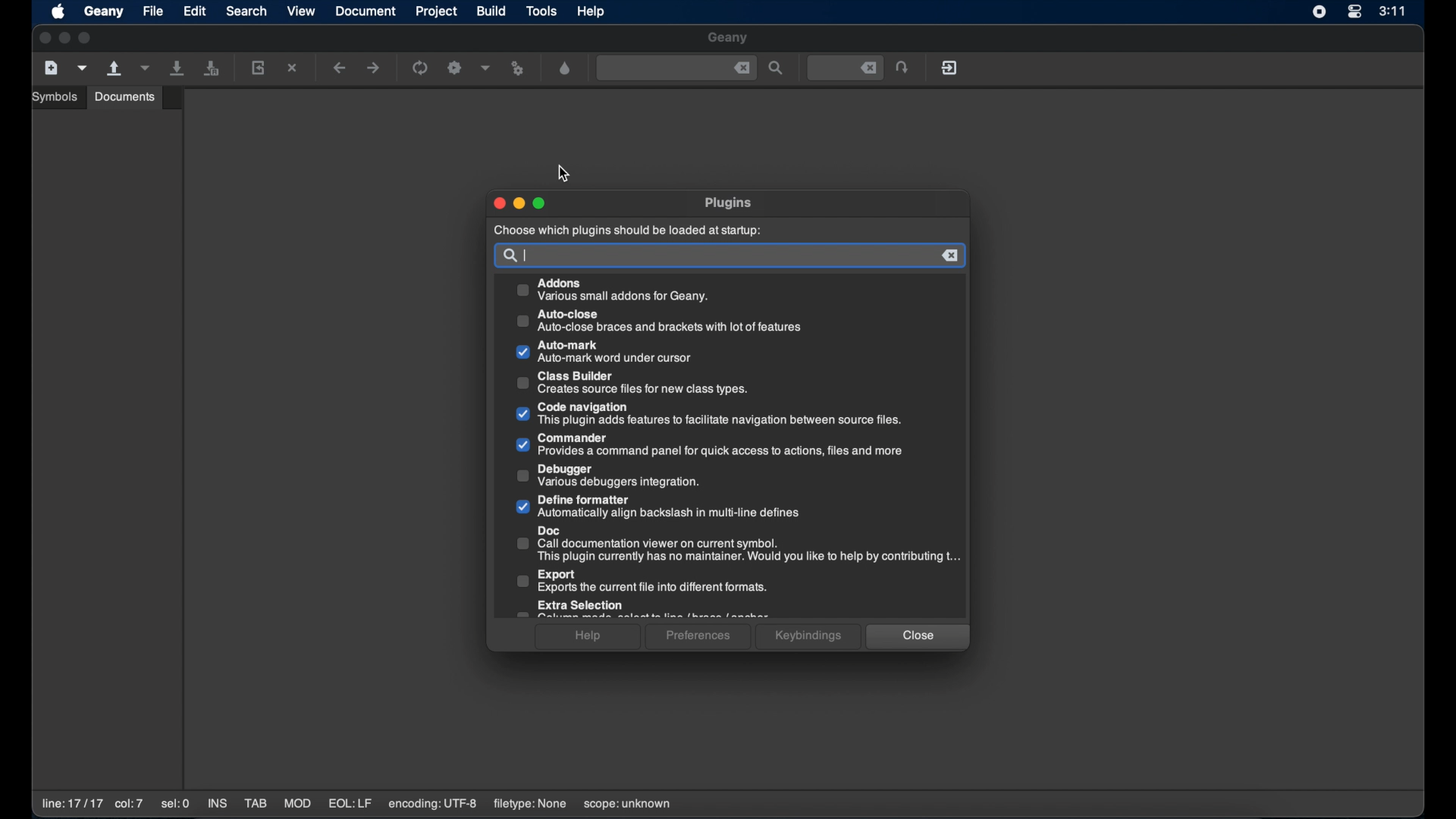 The width and height of the screenshot is (1456, 819). Describe the element at coordinates (918, 637) in the screenshot. I see `close` at that location.